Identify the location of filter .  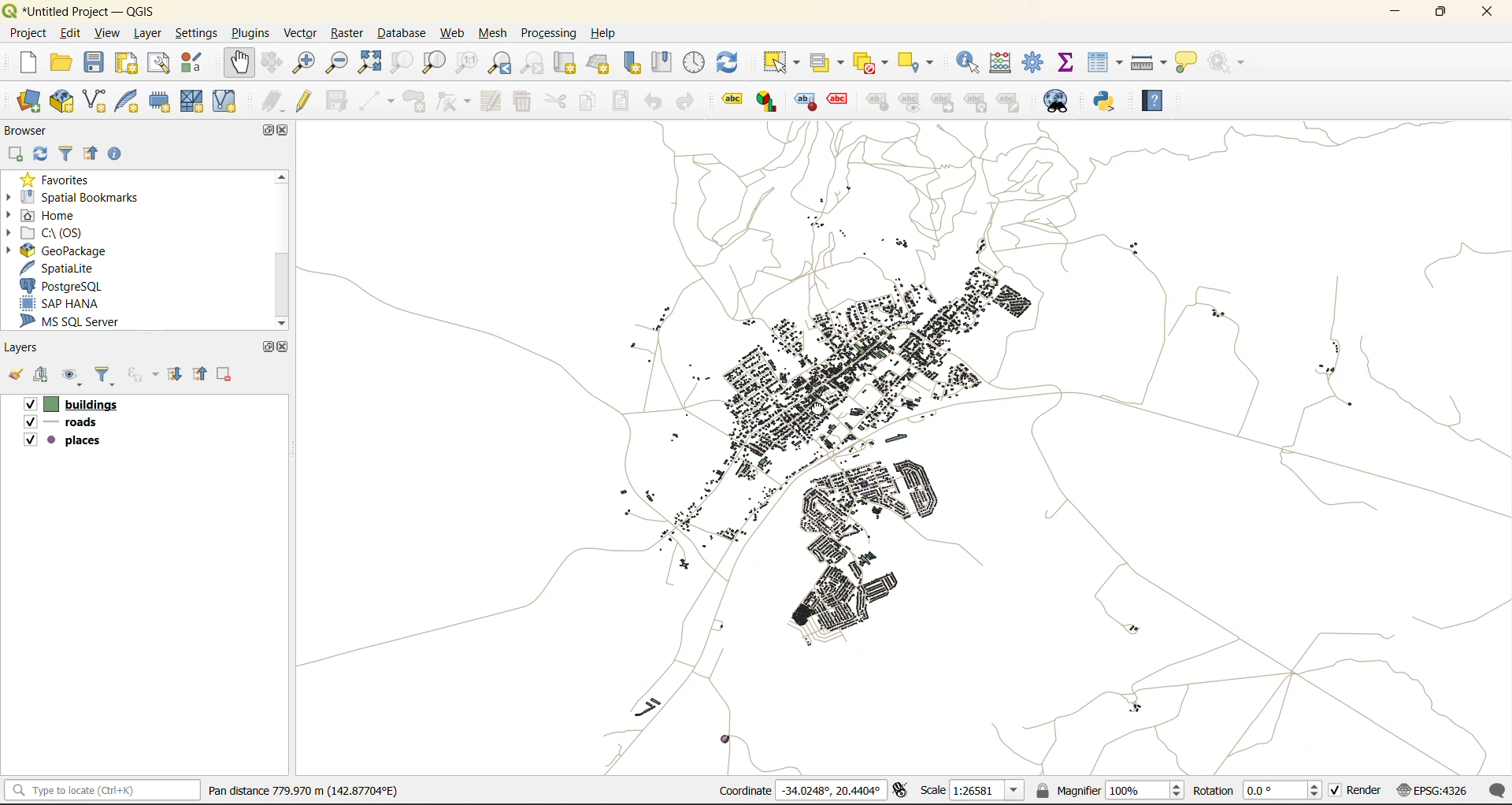
(109, 376).